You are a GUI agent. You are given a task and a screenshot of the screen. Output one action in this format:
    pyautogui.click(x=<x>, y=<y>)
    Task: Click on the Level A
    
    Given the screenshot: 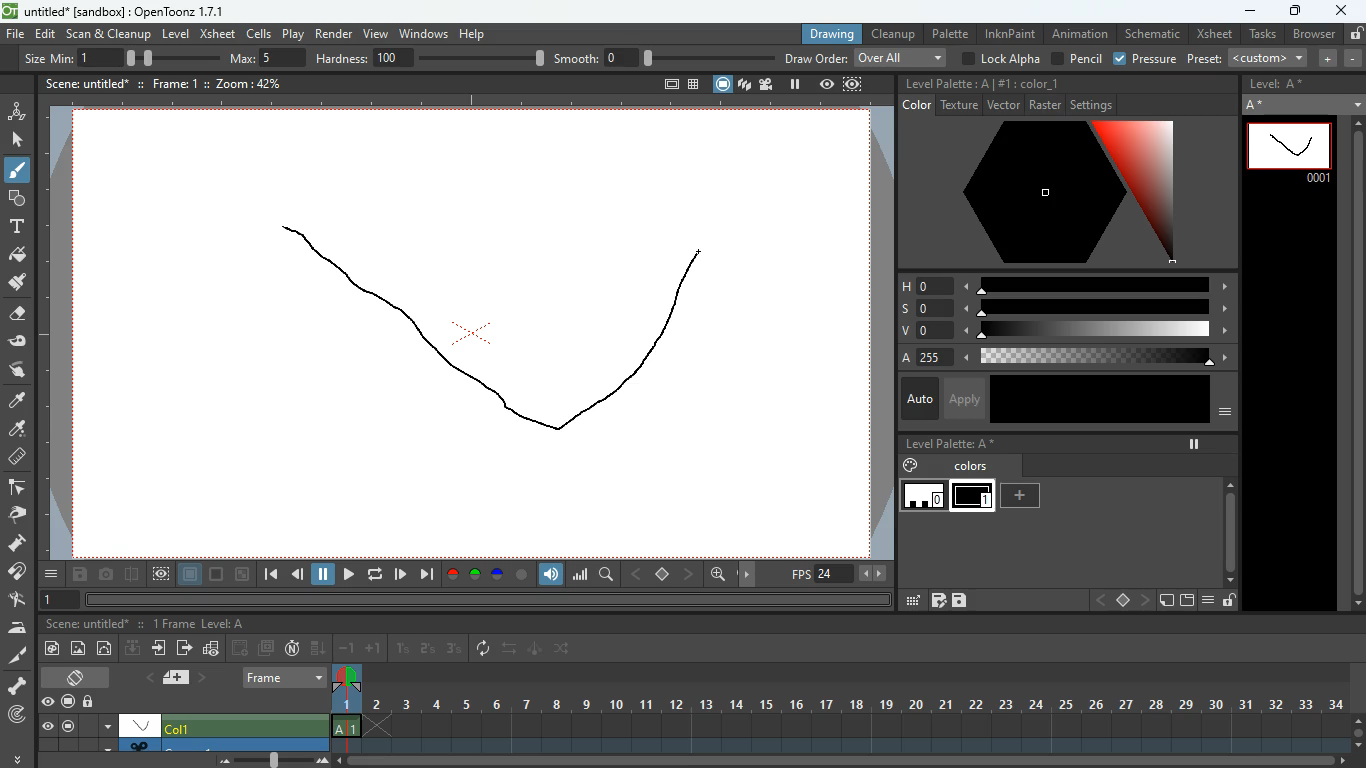 What is the action you would take?
    pyautogui.click(x=223, y=624)
    